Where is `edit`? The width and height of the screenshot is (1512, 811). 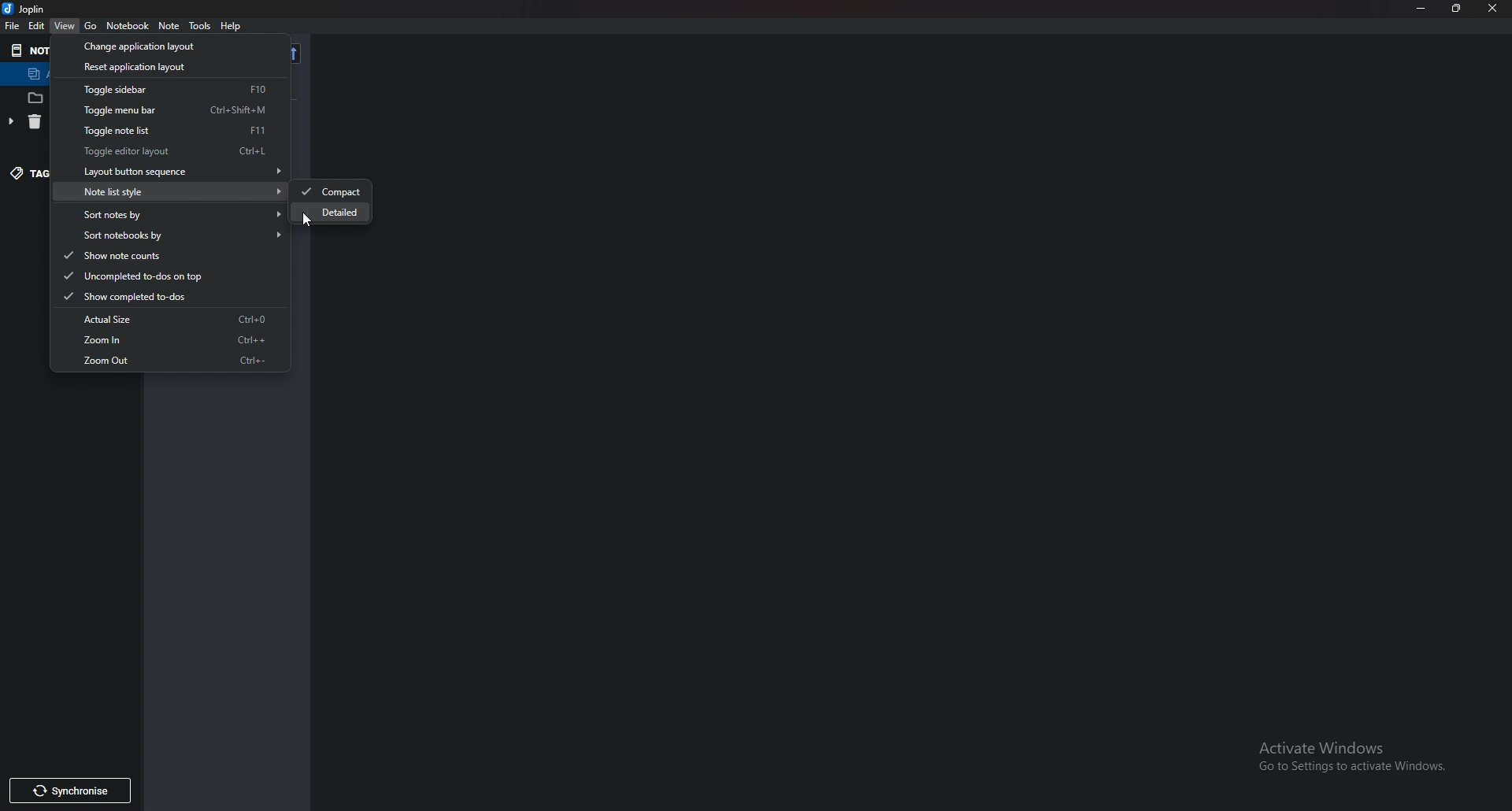
edit is located at coordinates (39, 26).